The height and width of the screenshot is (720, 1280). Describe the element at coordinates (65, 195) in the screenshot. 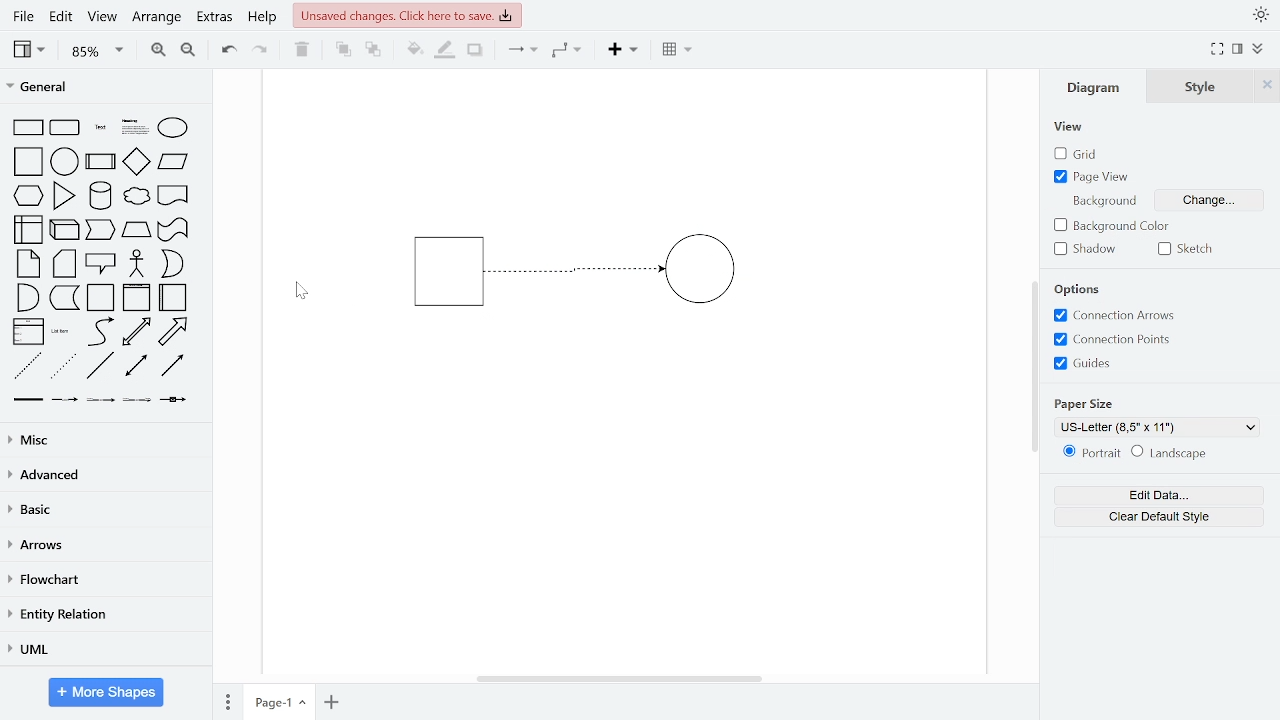

I see `triangle` at that location.